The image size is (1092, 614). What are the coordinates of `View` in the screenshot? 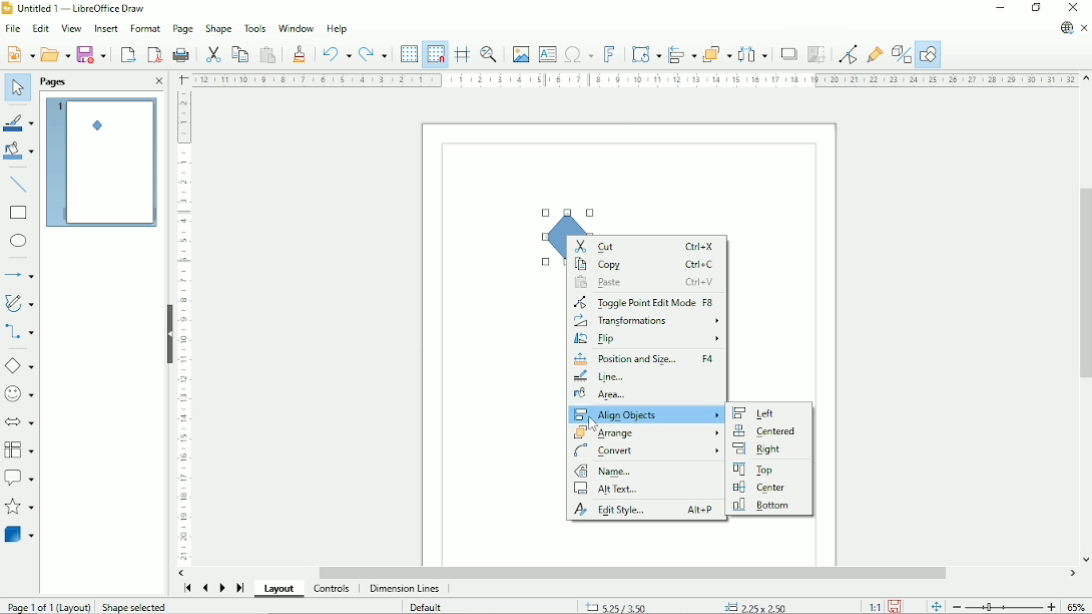 It's located at (73, 28).